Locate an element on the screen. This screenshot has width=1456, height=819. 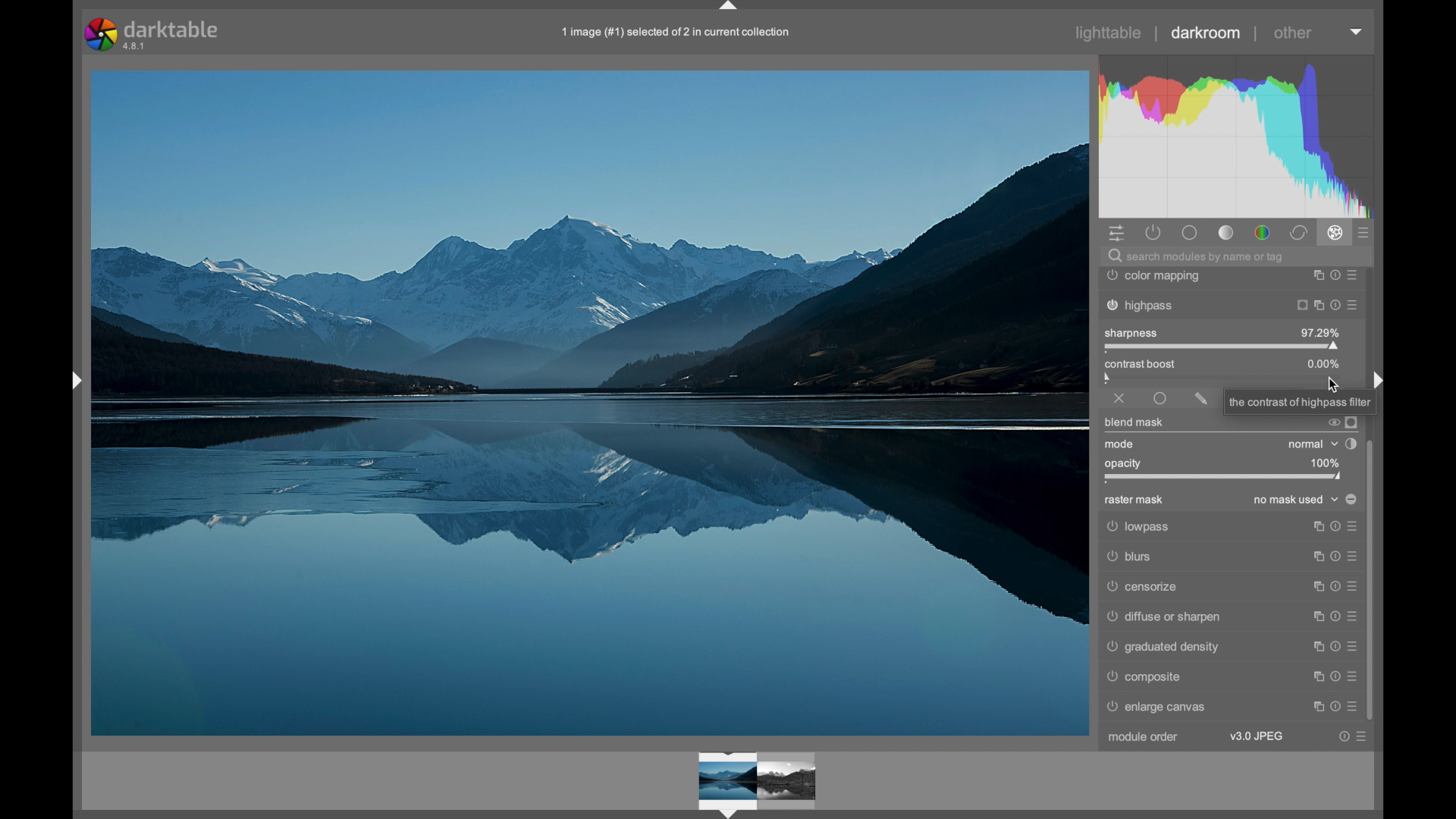
no maskused dropdown is located at coordinates (1297, 500).